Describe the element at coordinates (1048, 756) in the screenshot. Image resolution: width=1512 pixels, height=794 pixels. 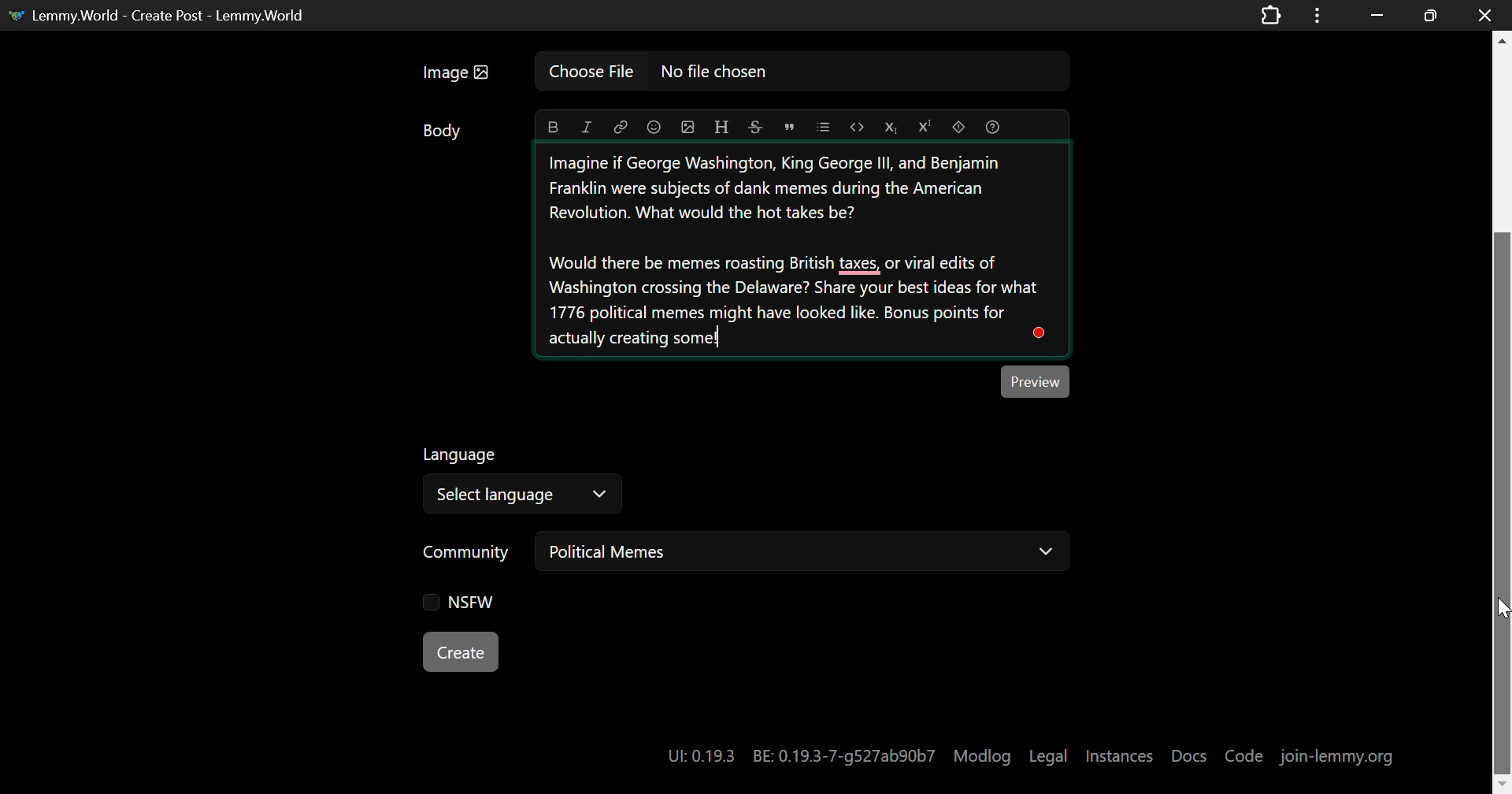
I see `Legal` at that location.